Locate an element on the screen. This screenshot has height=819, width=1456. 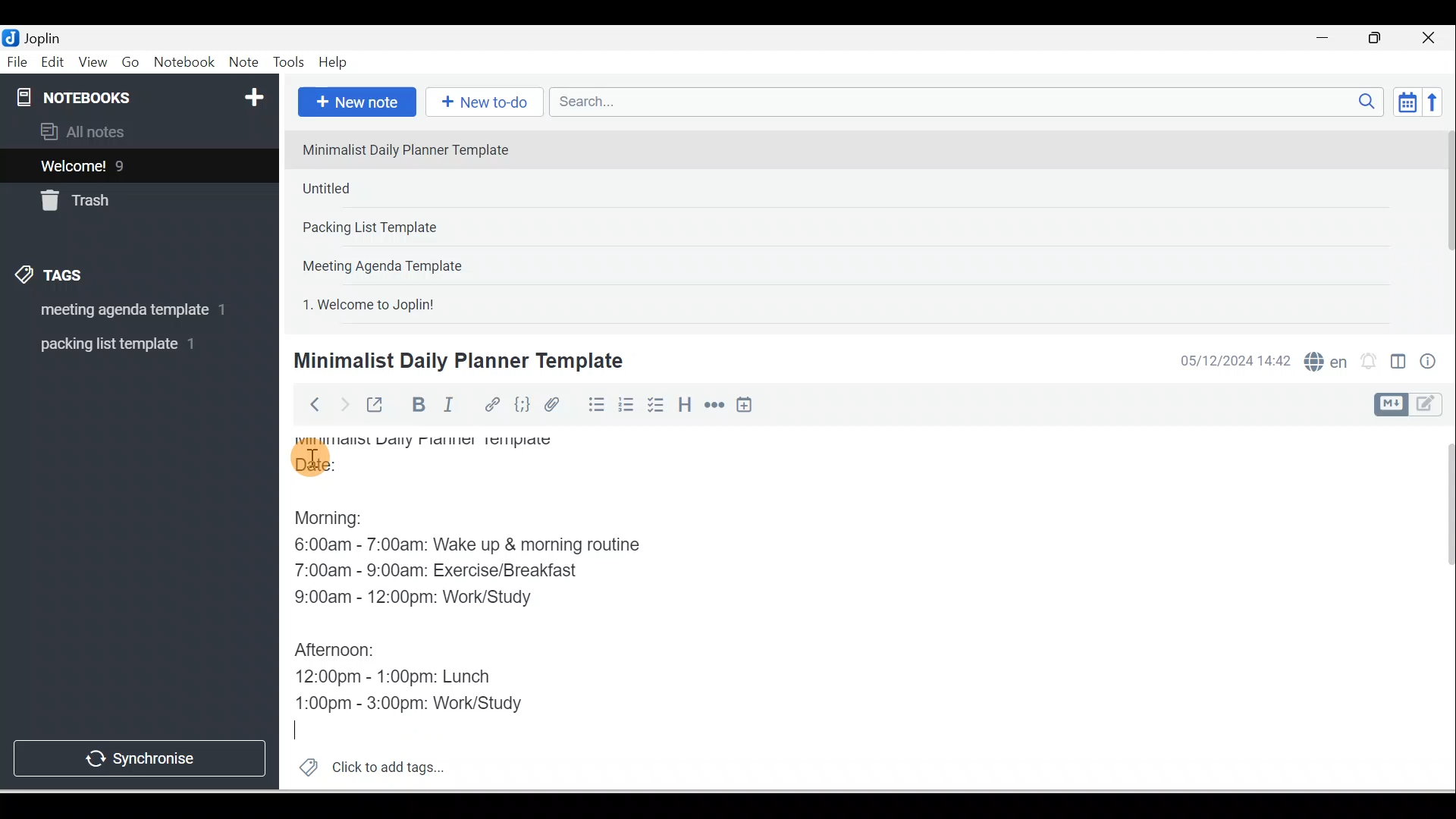
Click to add tags is located at coordinates (366, 765).